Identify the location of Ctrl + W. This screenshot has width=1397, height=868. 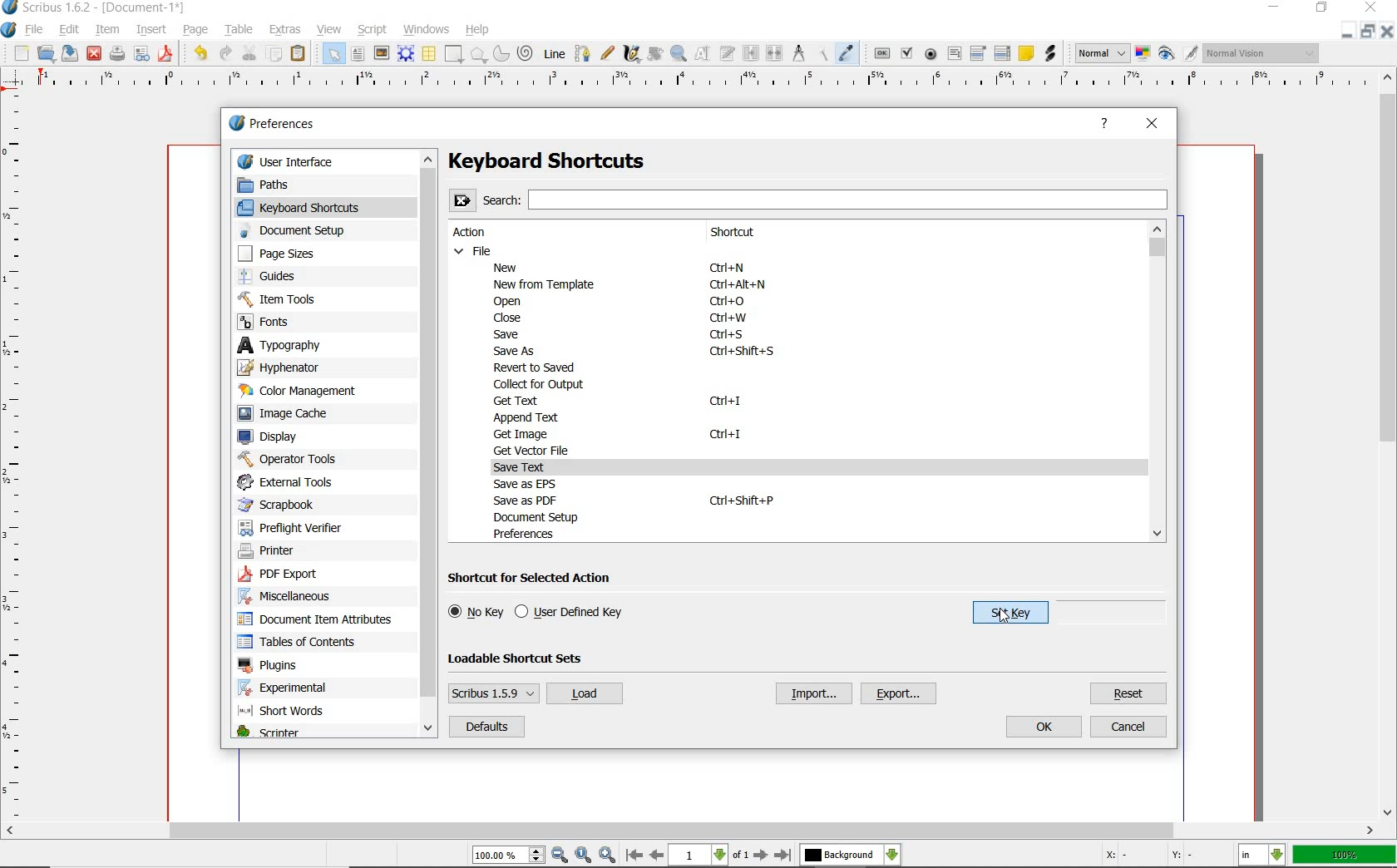
(728, 319).